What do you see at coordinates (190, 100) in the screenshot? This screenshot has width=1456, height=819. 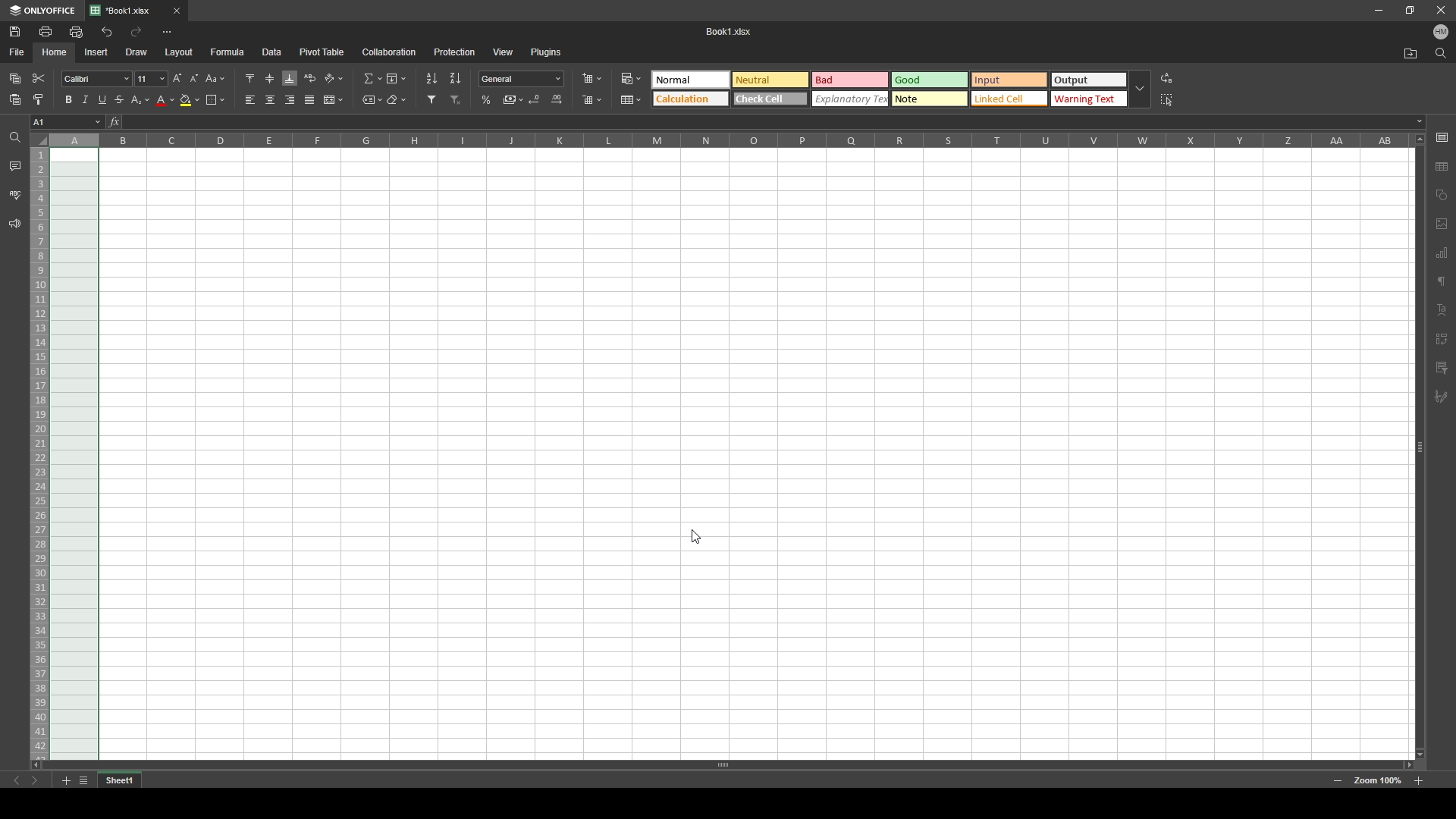 I see `fill color` at bounding box center [190, 100].